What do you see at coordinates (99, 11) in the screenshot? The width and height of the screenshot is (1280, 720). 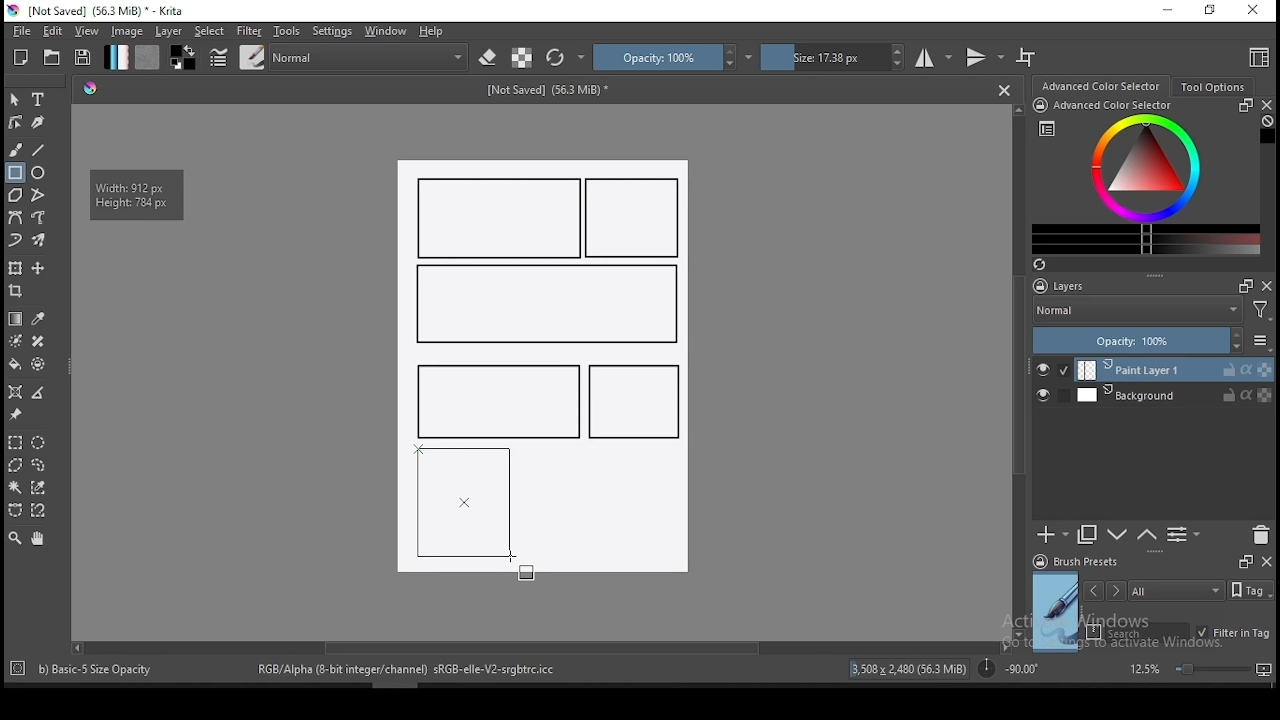 I see `icon and file name` at bounding box center [99, 11].